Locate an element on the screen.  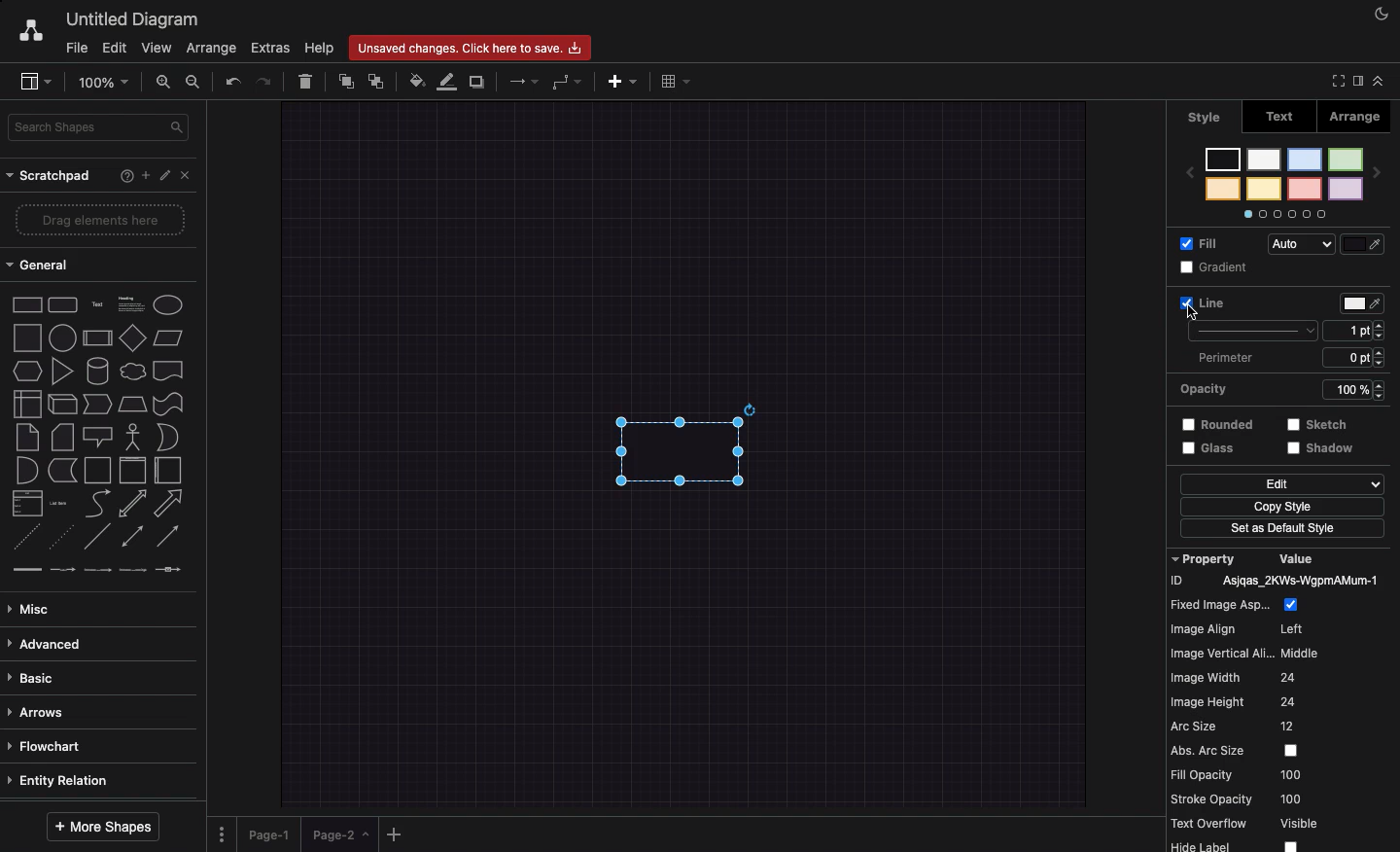
Draw.io is located at coordinates (30, 29).